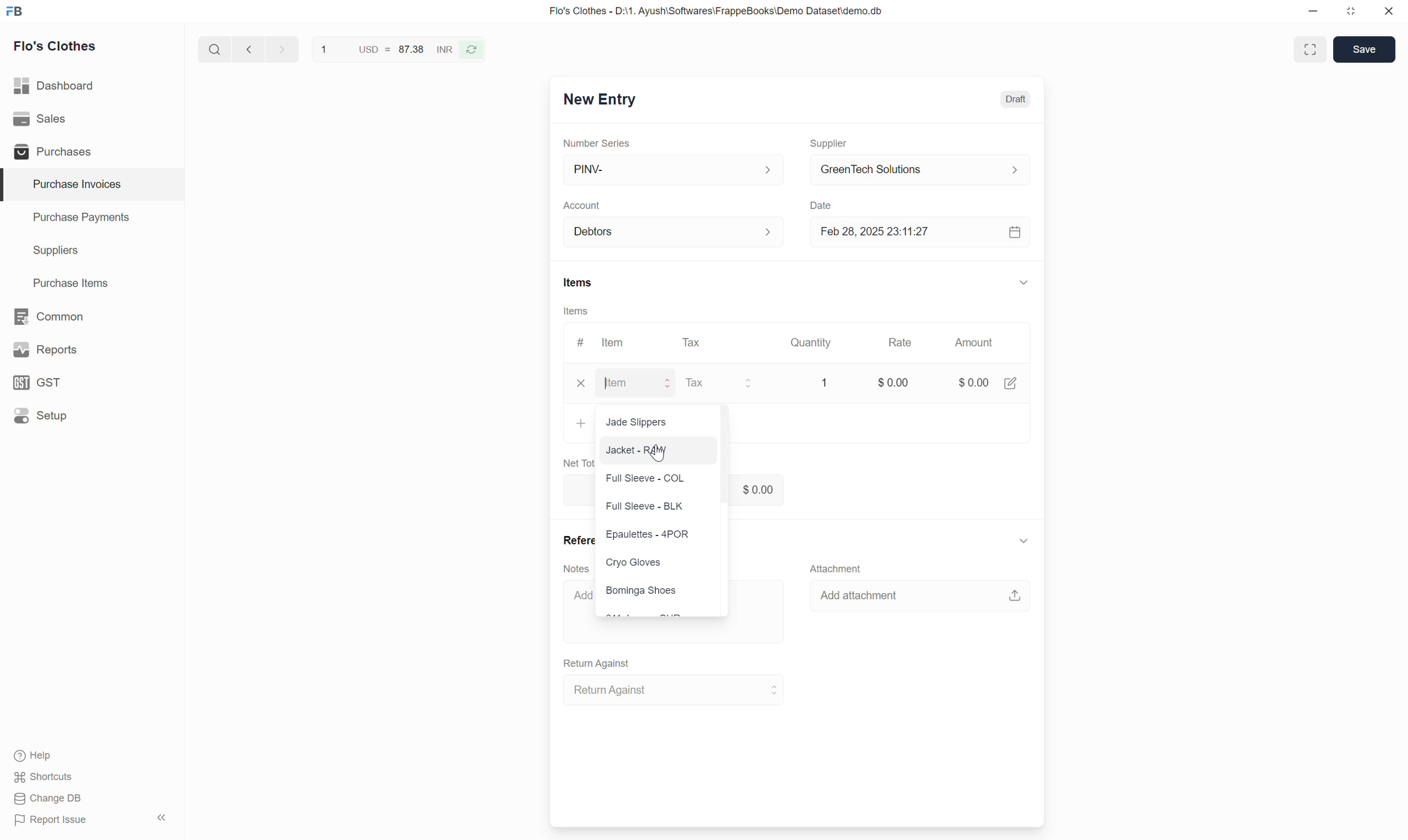  What do you see at coordinates (91, 119) in the screenshot?
I see `Sales` at bounding box center [91, 119].